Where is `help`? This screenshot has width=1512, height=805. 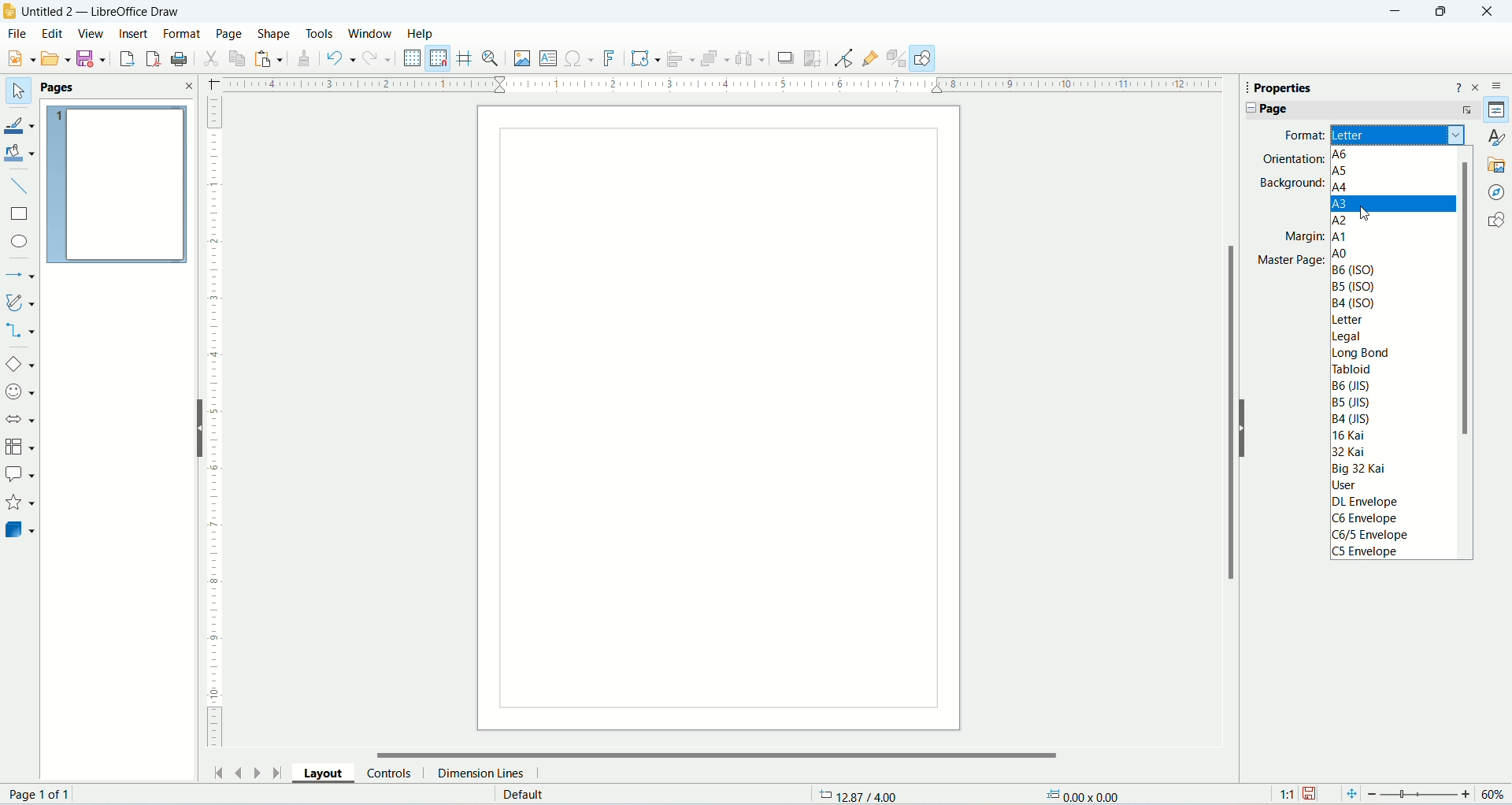
help is located at coordinates (1458, 90).